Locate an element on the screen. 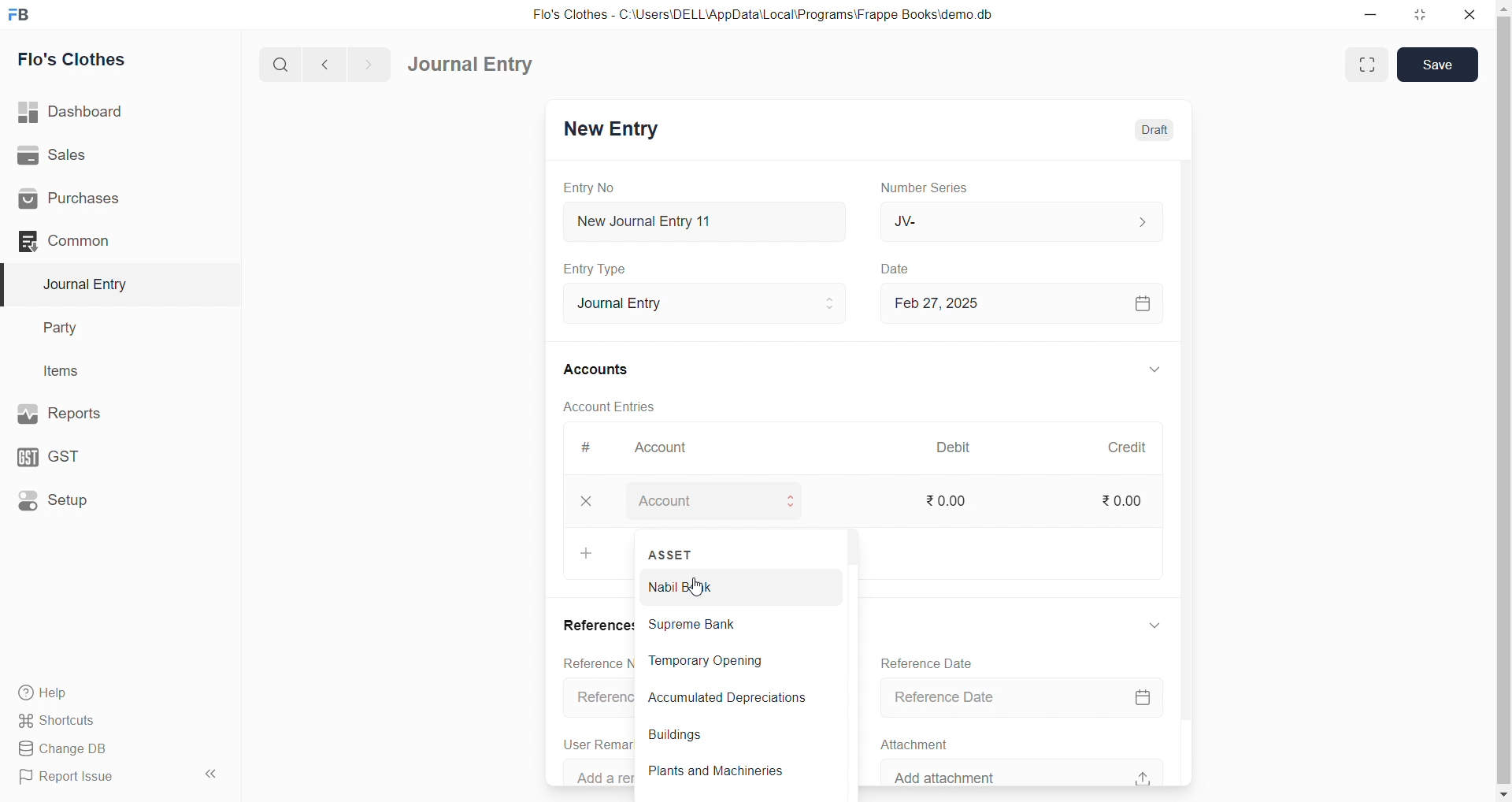 Image resolution: width=1512 pixels, height=802 pixels. References is located at coordinates (599, 623).